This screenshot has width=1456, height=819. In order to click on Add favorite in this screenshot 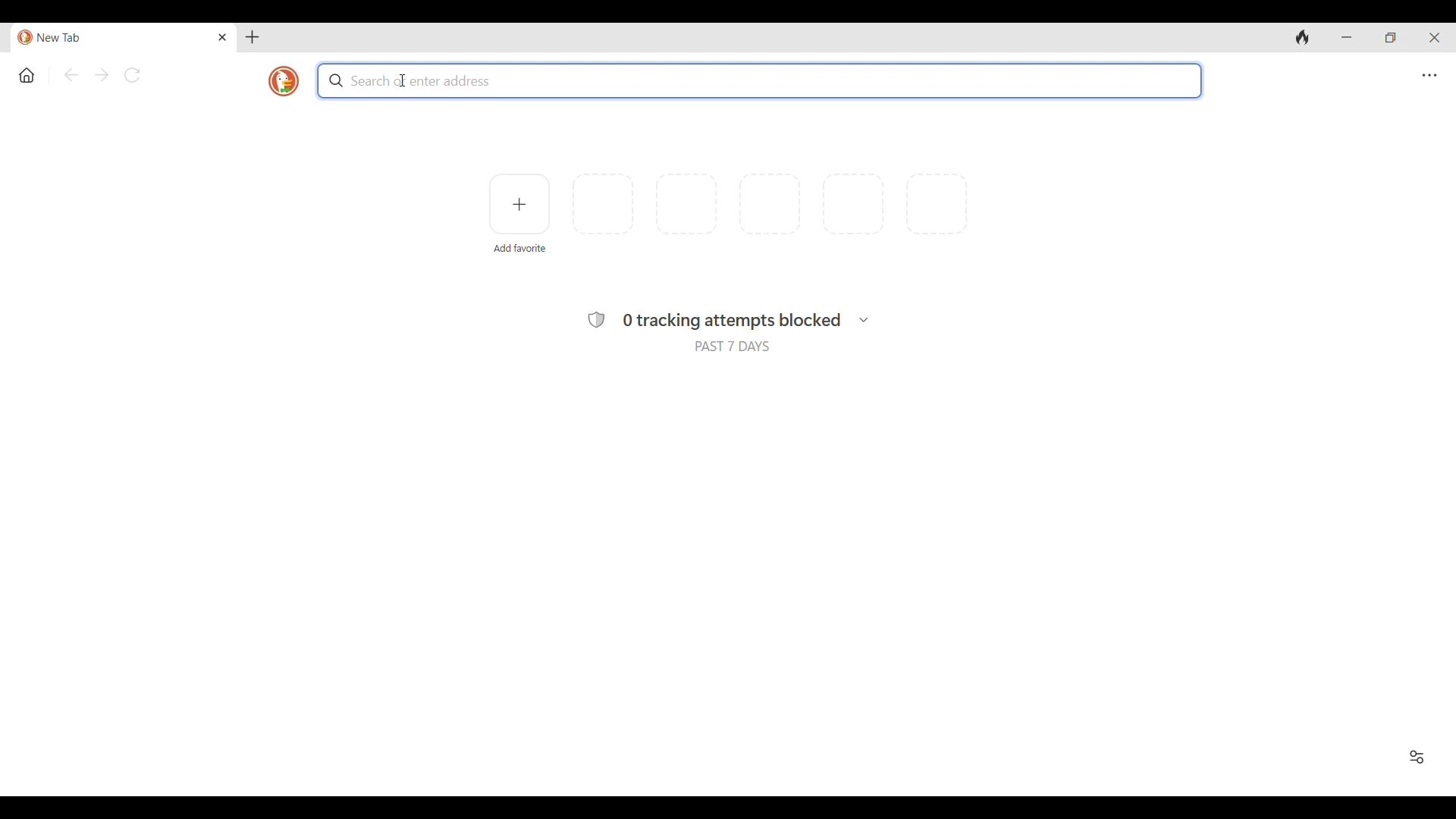, I will do `click(521, 249)`.